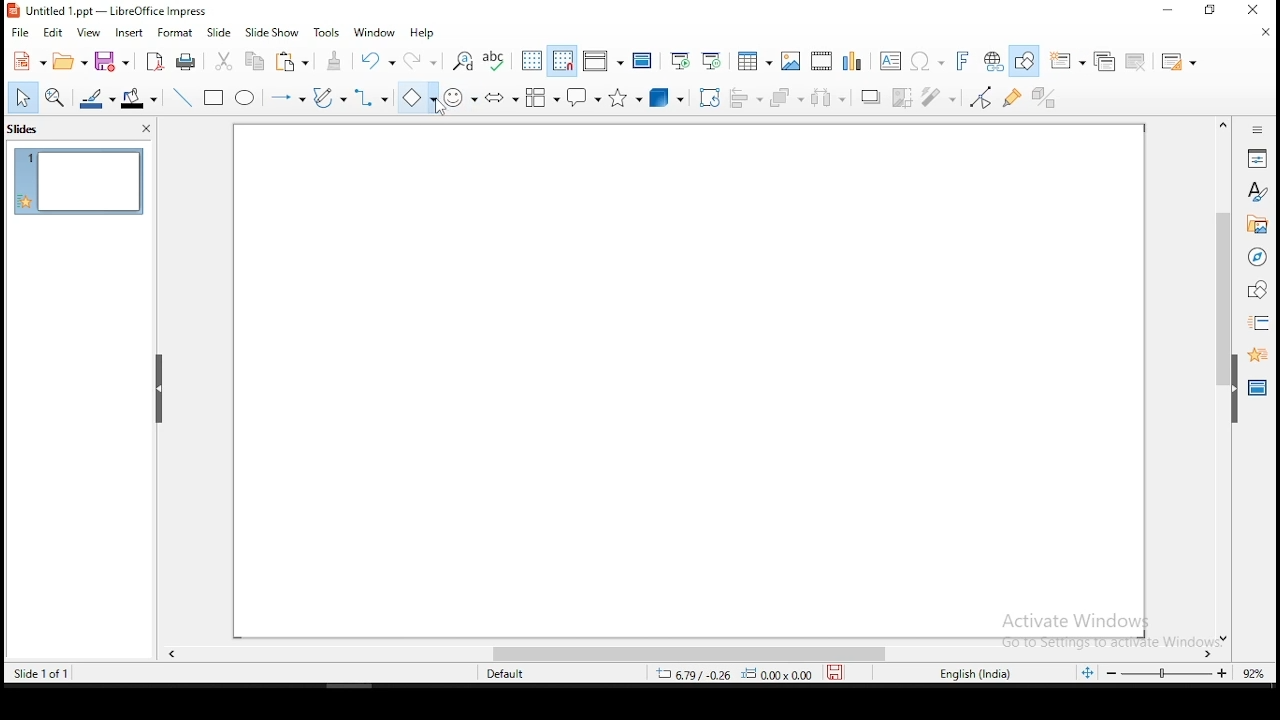  Describe the element at coordinates (111, 11) in the screenshot. I see `icon and file name` at that location.